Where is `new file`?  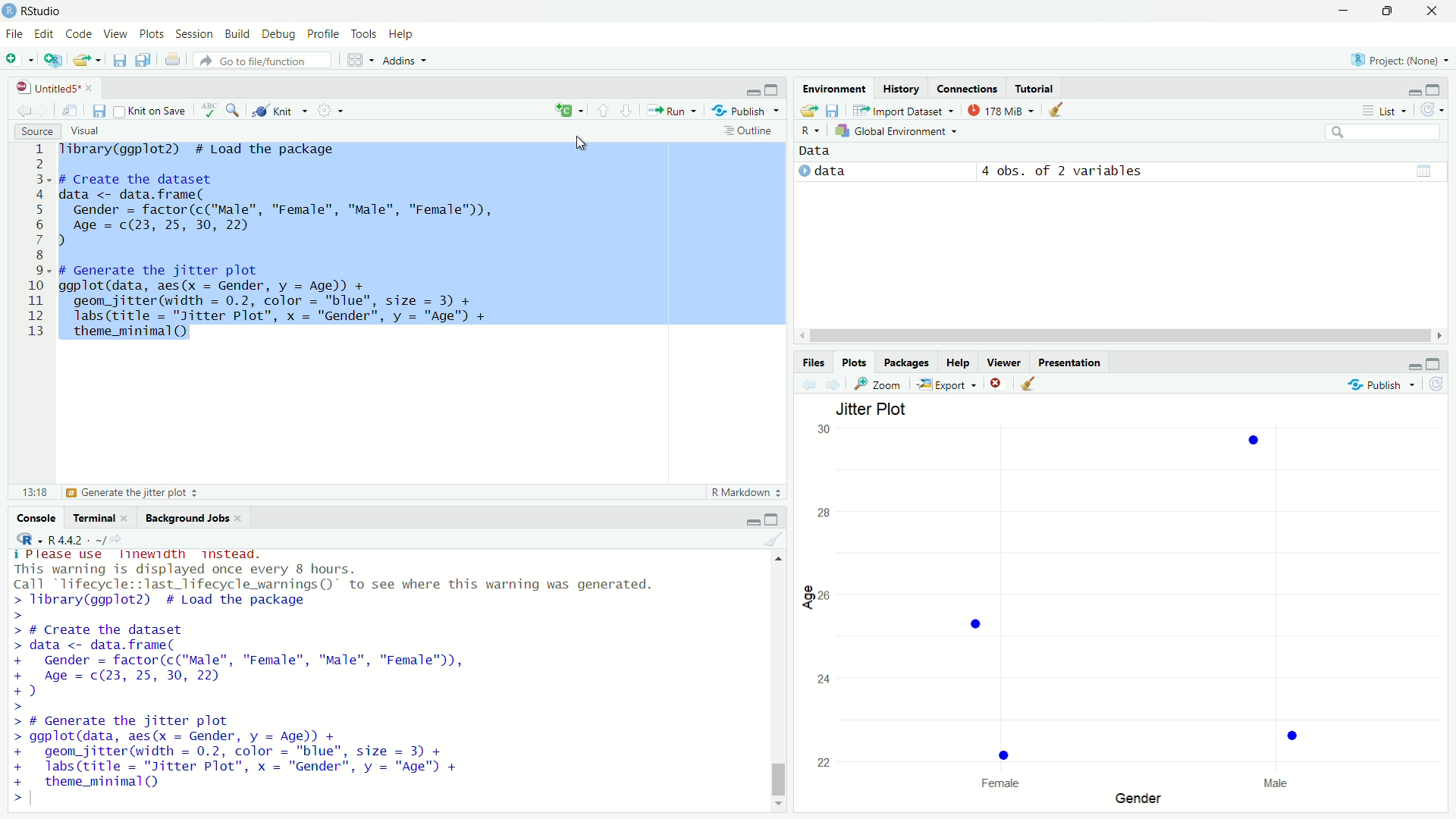
new file is located at coordinates (18, 58).